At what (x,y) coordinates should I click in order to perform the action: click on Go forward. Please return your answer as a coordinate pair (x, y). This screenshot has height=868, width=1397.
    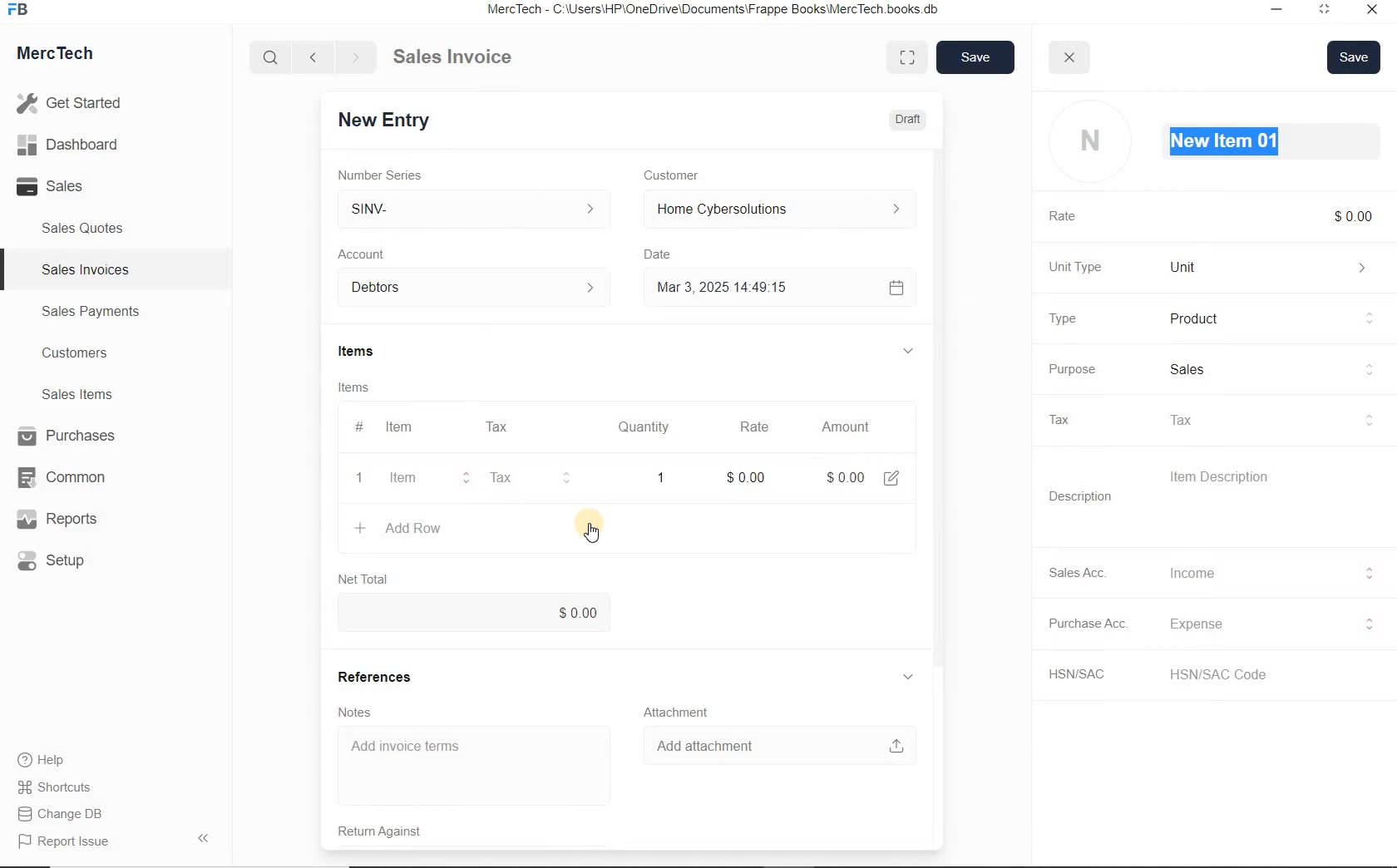
    Looking at the image, I should click on (355, 57).